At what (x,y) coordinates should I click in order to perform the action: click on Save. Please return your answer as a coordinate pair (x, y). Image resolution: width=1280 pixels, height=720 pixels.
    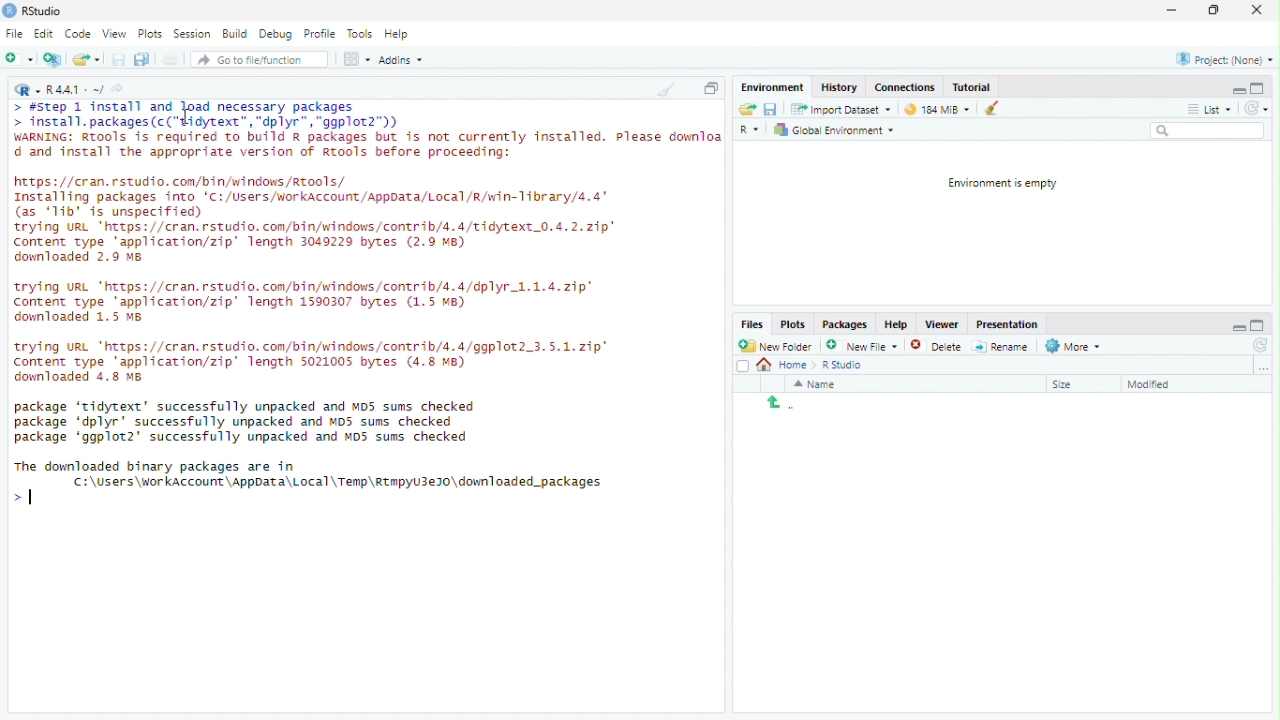
    Looking at the image, I should click on (770, 109).